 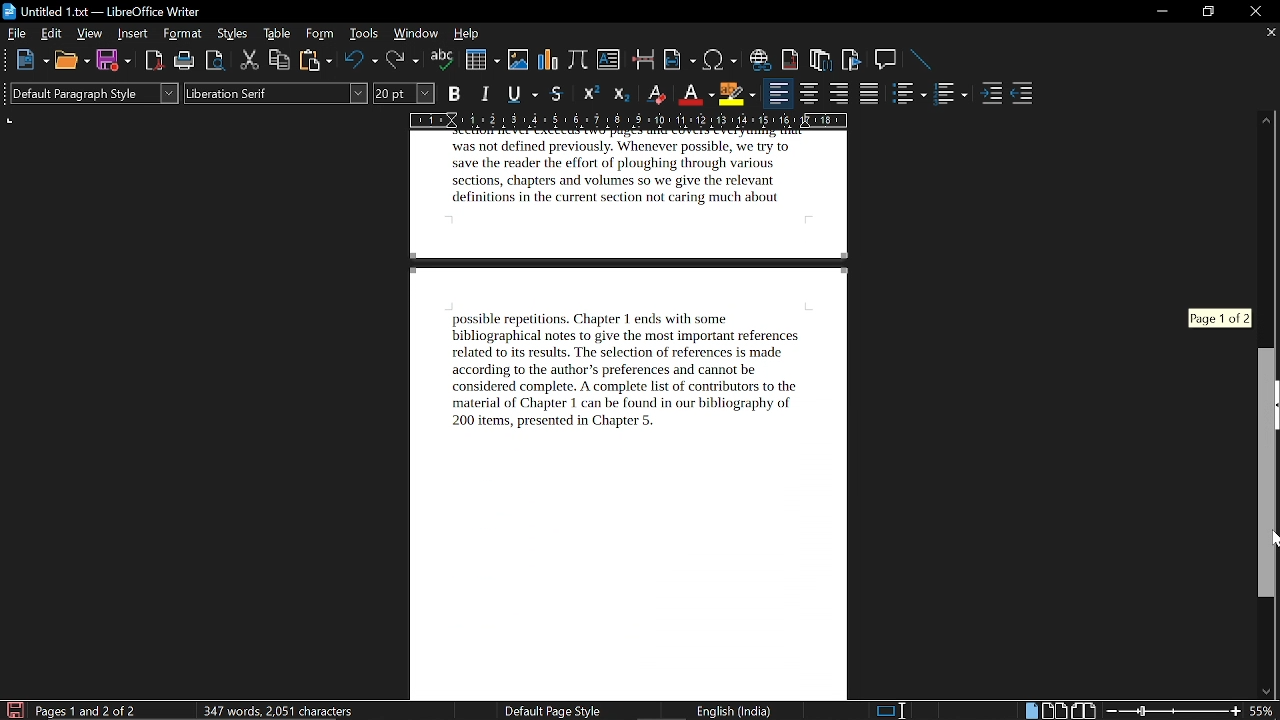 What do you see at coordinates (518, 62) in the screenshot?
I see `insert image` at bounding box center [518, 62].